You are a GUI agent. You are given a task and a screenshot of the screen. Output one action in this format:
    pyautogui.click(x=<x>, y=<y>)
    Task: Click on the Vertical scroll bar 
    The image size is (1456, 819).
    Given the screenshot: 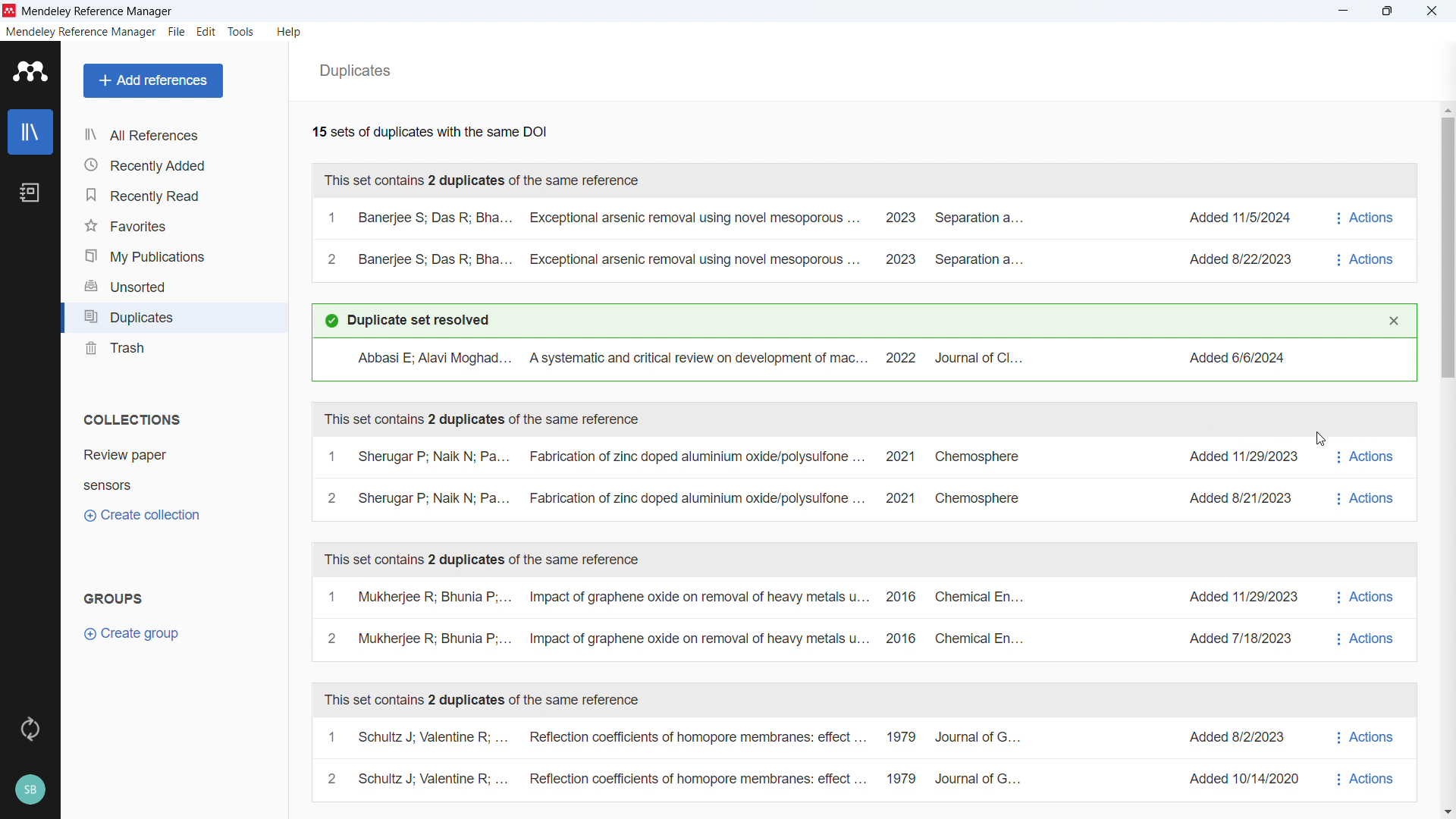 What is the action you would take?
    pyautogui.click(x=1450, y=249)
    